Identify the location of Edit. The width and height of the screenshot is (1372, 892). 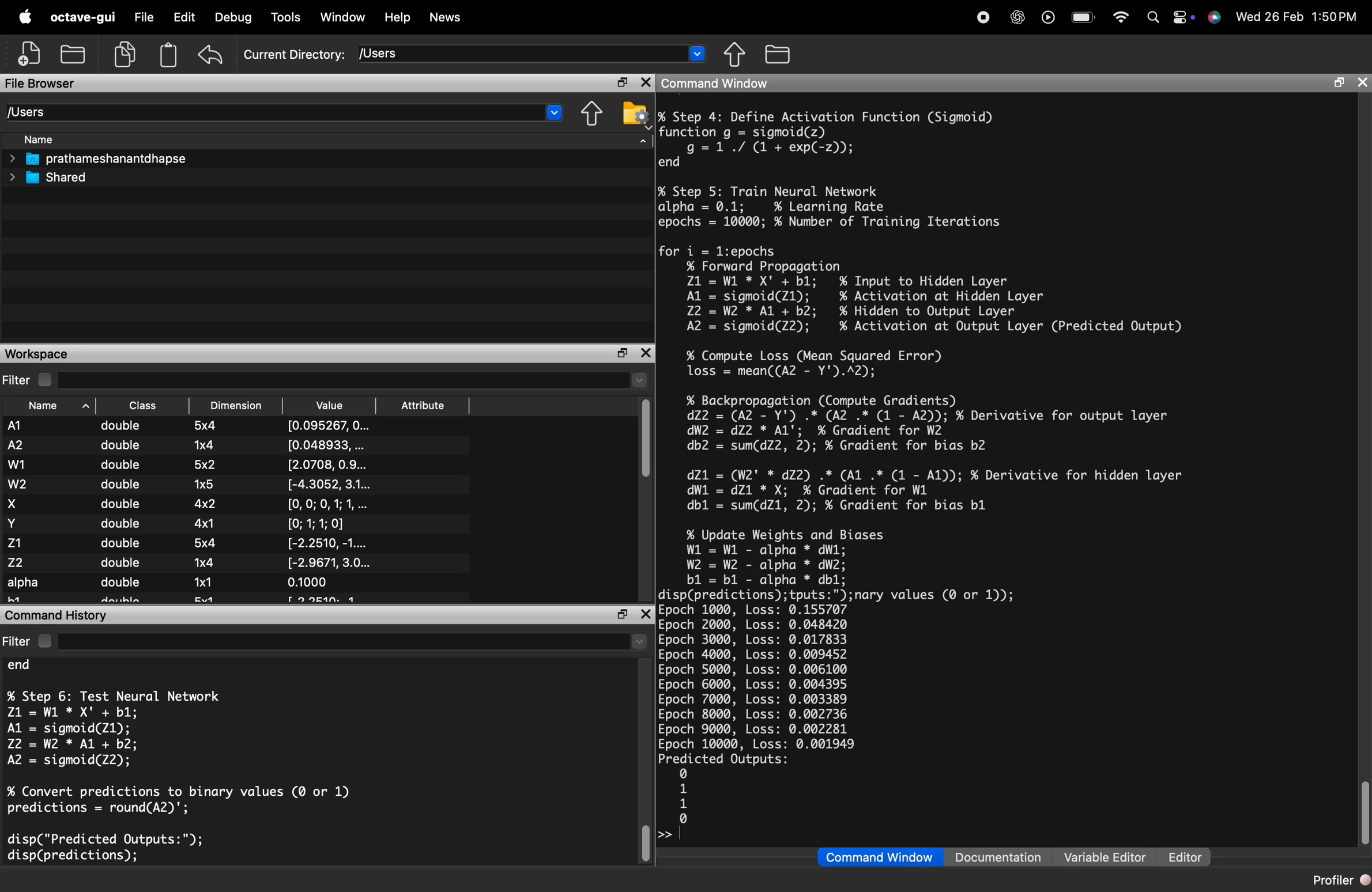
(184, 17).